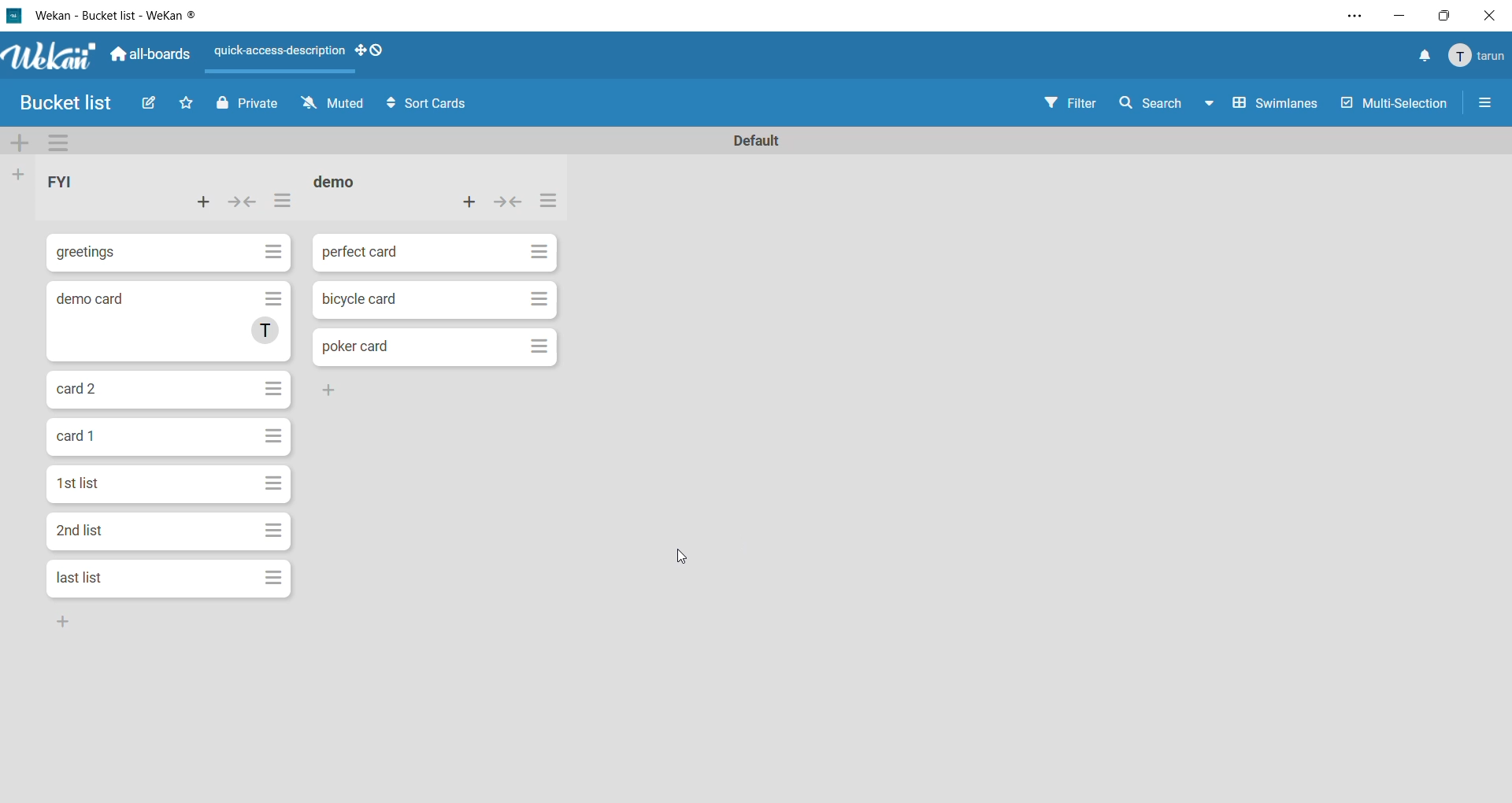  I want to click on greetings, so click(165, 253).